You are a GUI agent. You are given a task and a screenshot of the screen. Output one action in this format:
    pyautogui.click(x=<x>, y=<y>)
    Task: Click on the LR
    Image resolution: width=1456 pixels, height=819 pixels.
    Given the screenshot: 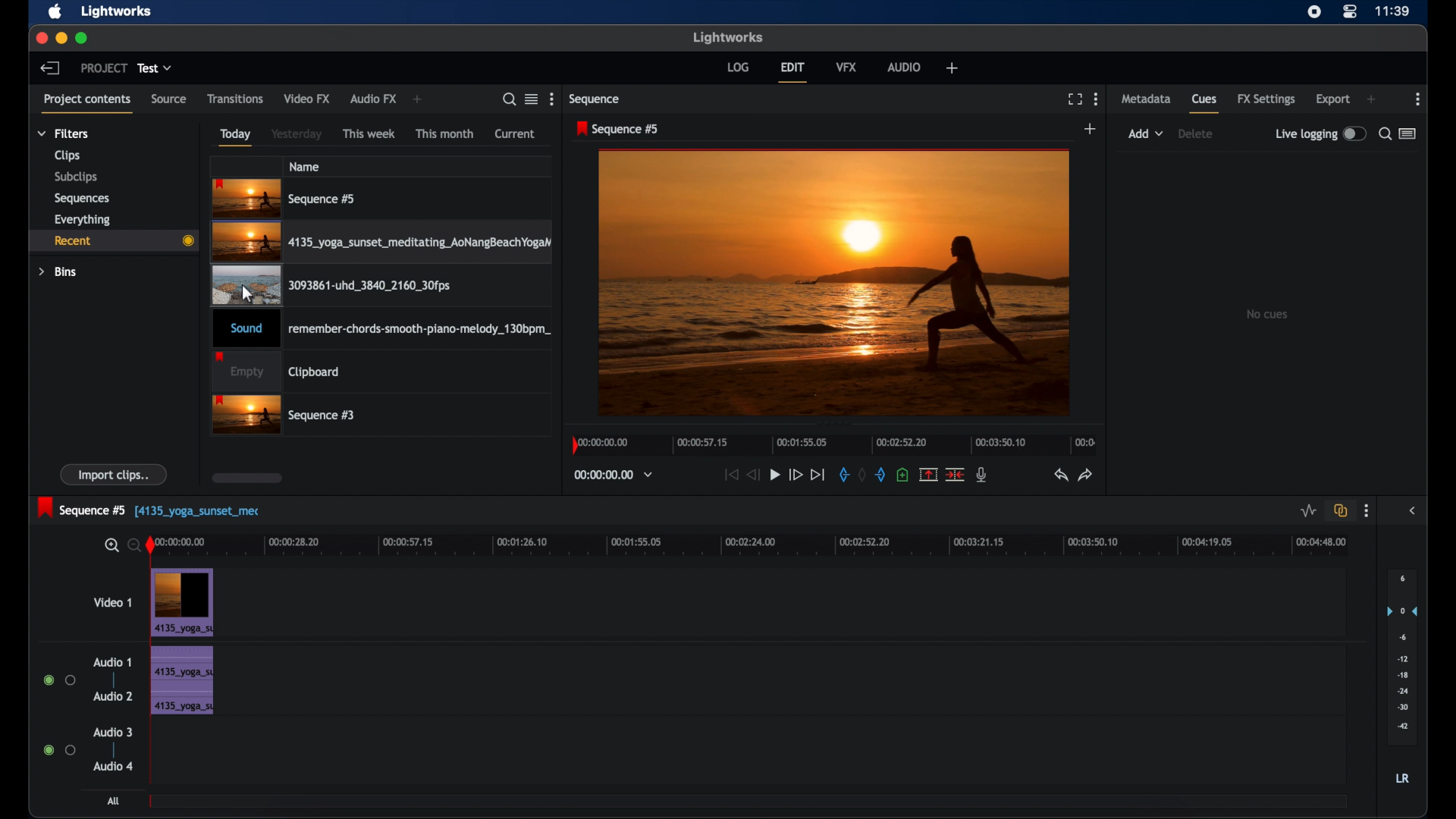 What is the action you would take?
    pyautogui.click(x=1402, y=778)
    